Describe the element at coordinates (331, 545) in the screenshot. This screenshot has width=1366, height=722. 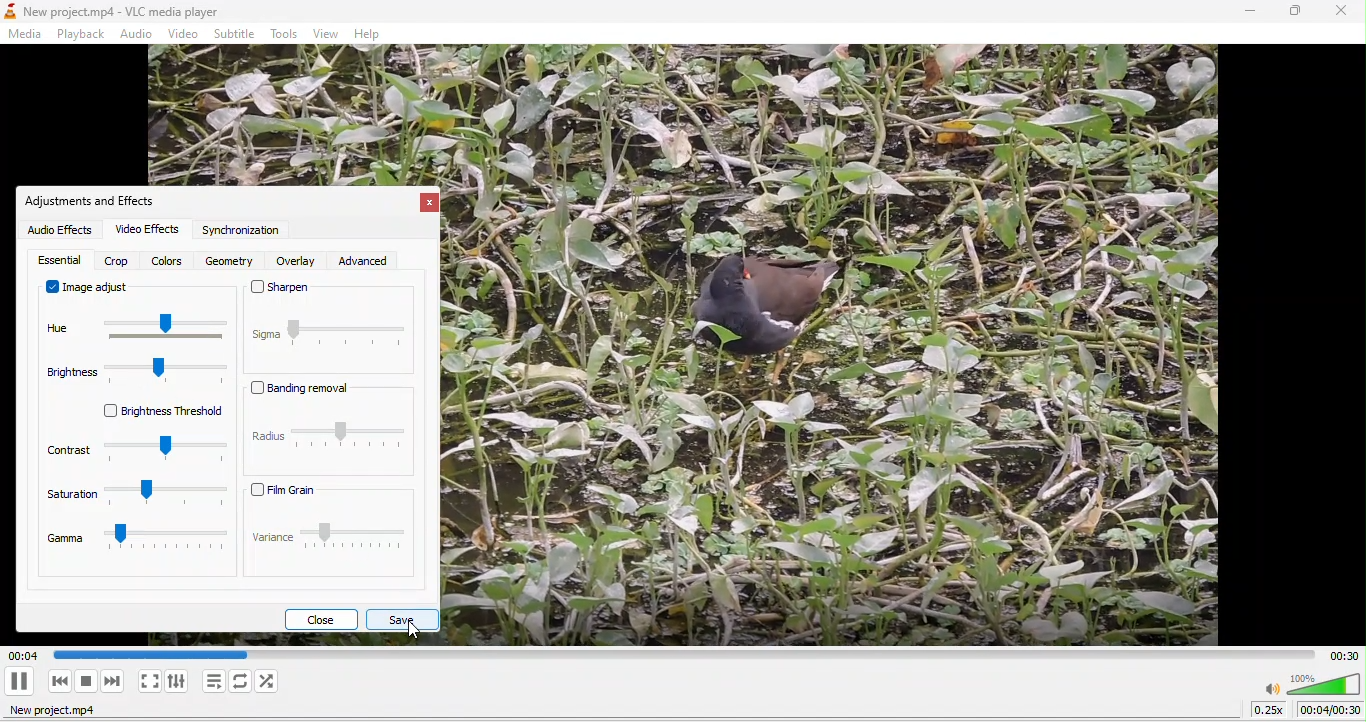
I see `variance` at that location.